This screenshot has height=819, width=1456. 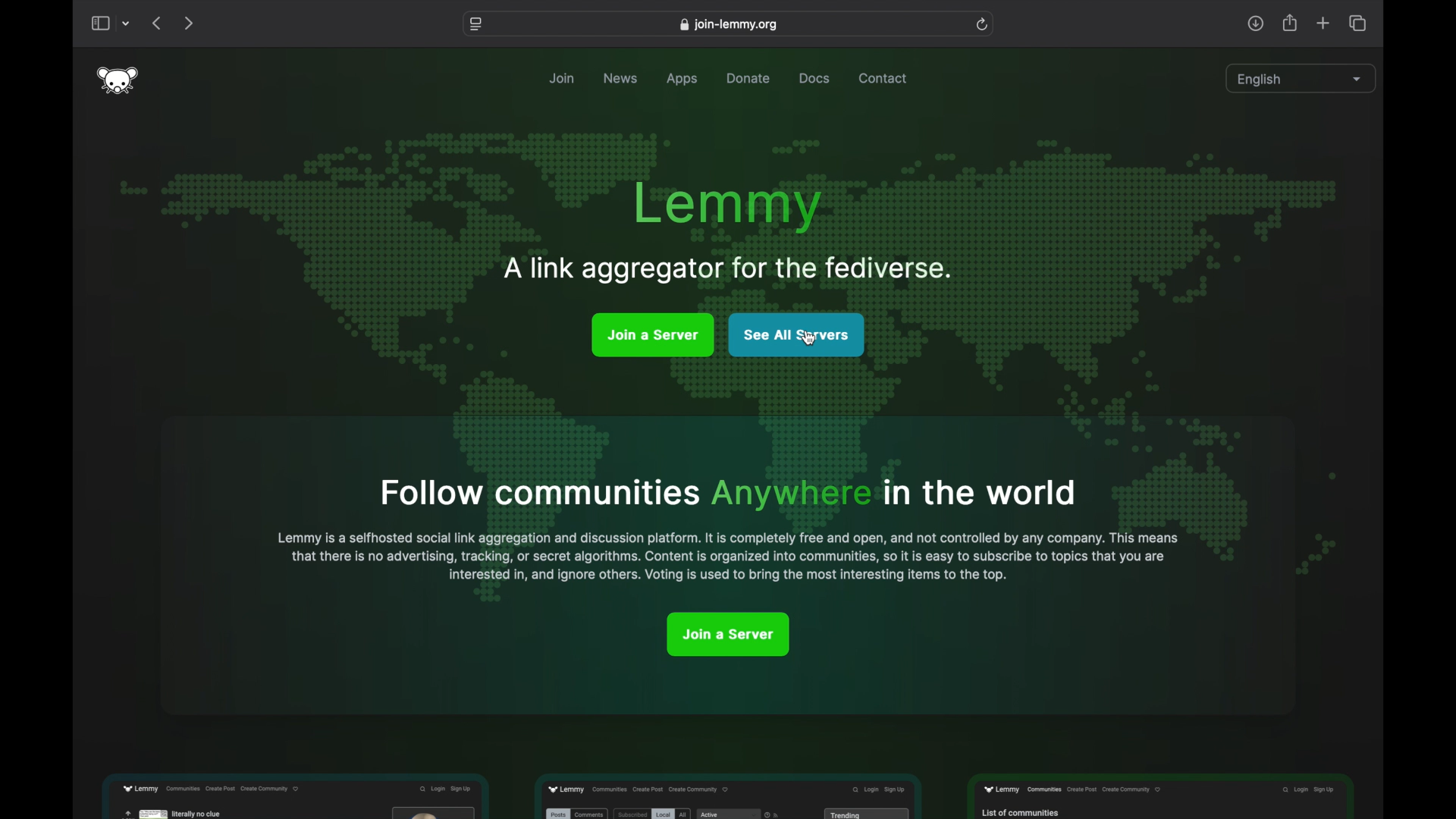 What do you see at coordinates (119, 80) in the screenshot?
I see `lemmy ` at bounding box center [119, 80].